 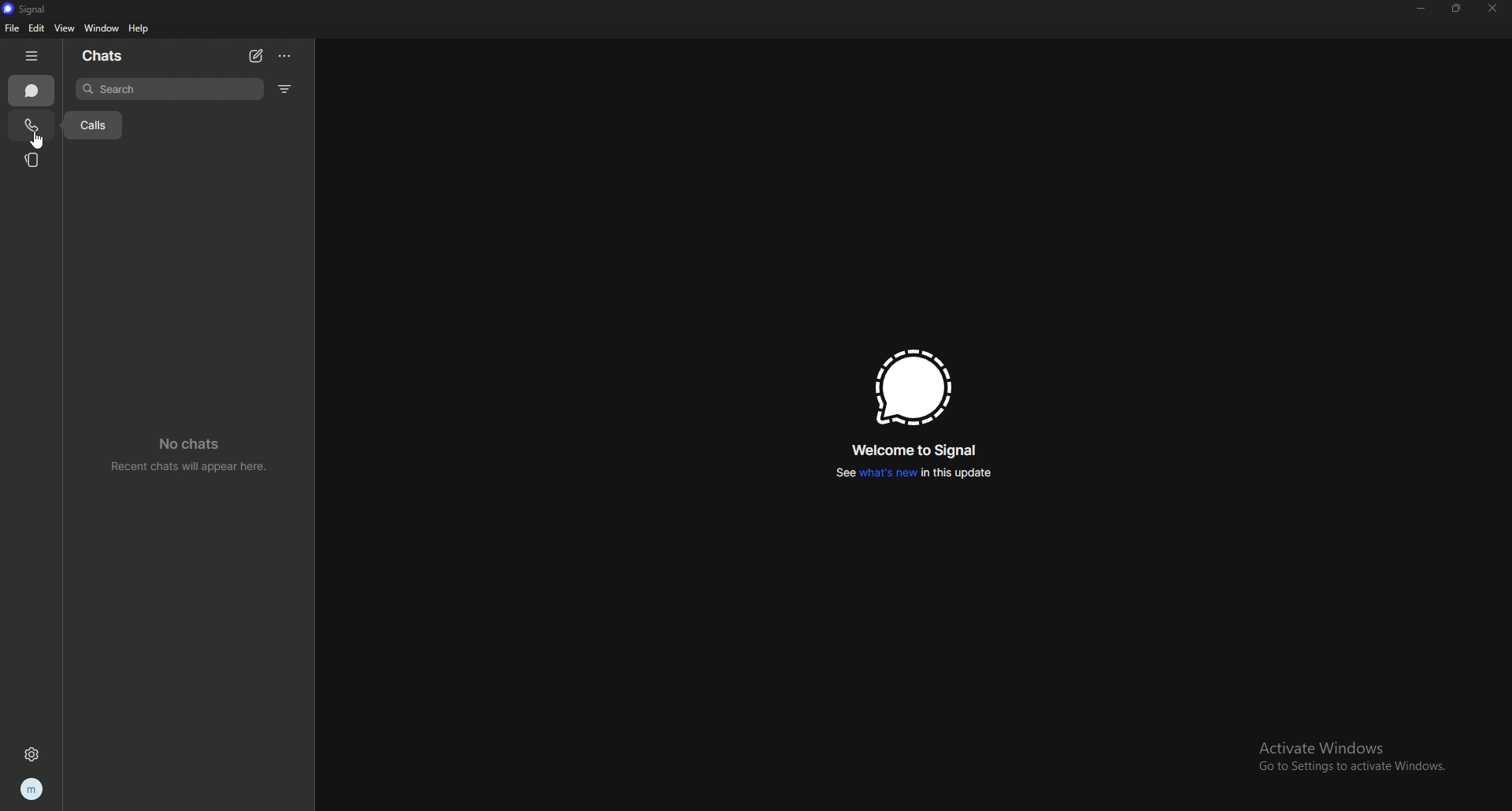 What do you see at coordinates (187, 455) in the screenshot?
I see `no chats recent chats will appear here` at bounding box center [187, 455].